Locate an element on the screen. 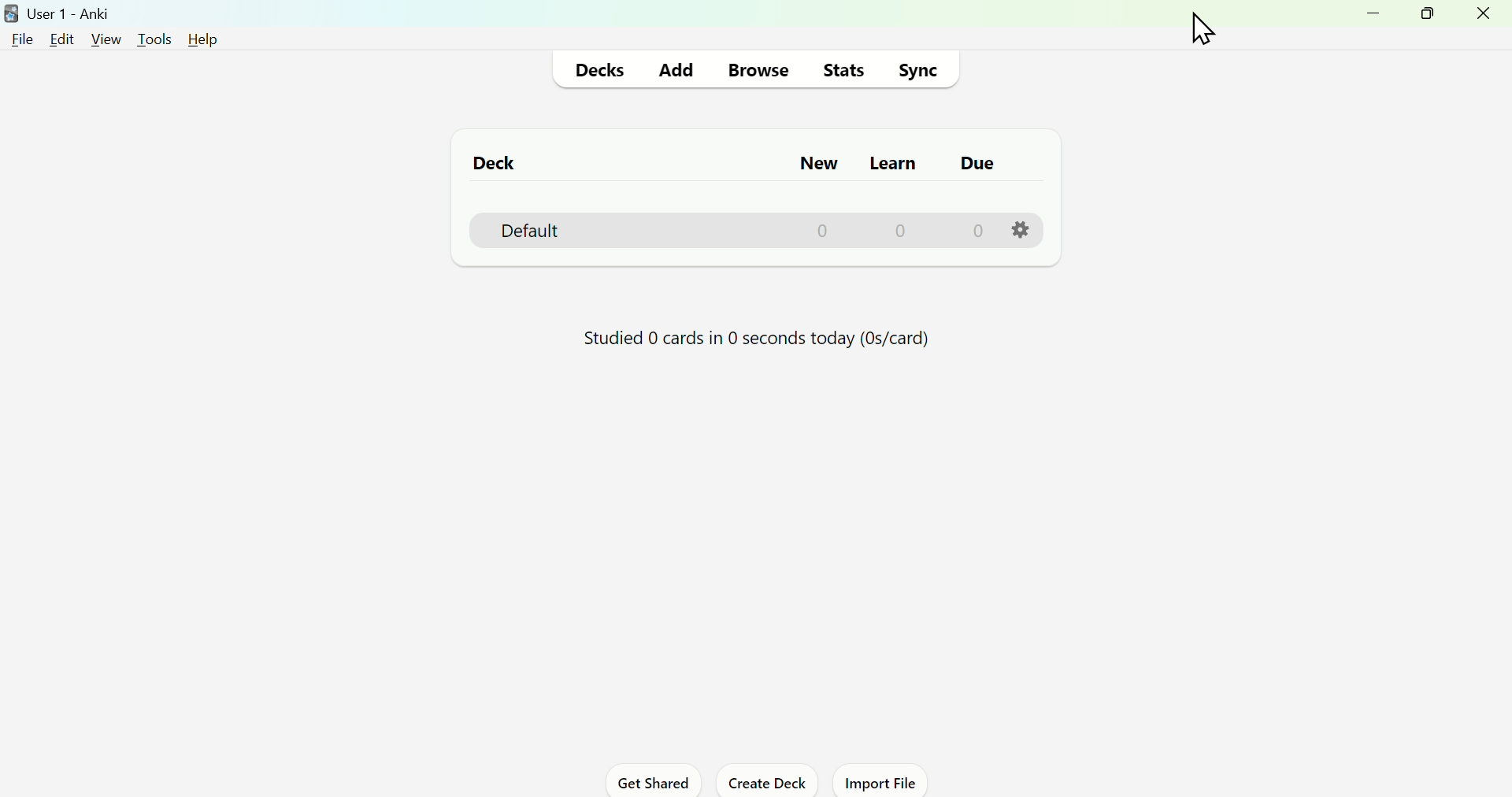  Help is located at coordinates (207, 40).